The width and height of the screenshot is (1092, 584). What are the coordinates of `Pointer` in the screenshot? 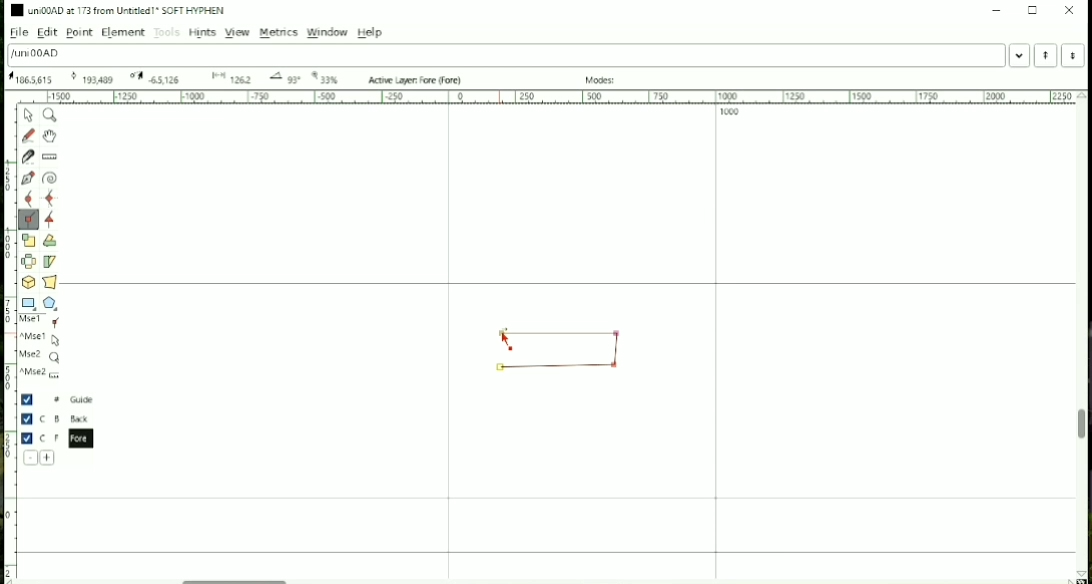 It's located at (30, 115).